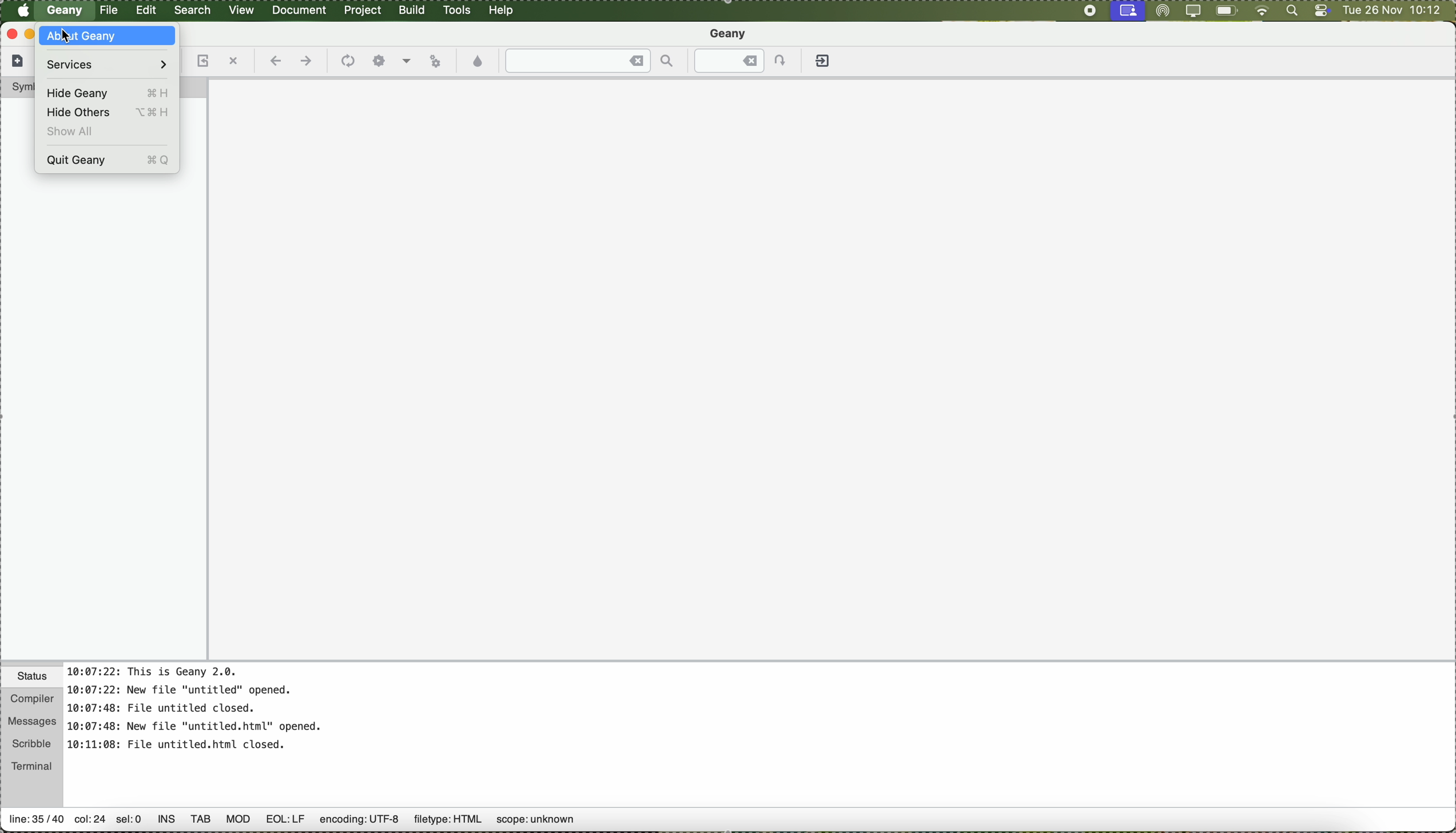  What do you see at coordinates (109, 37) in the screenshot?
I see `About Geany` at bounding box center [109, 37].